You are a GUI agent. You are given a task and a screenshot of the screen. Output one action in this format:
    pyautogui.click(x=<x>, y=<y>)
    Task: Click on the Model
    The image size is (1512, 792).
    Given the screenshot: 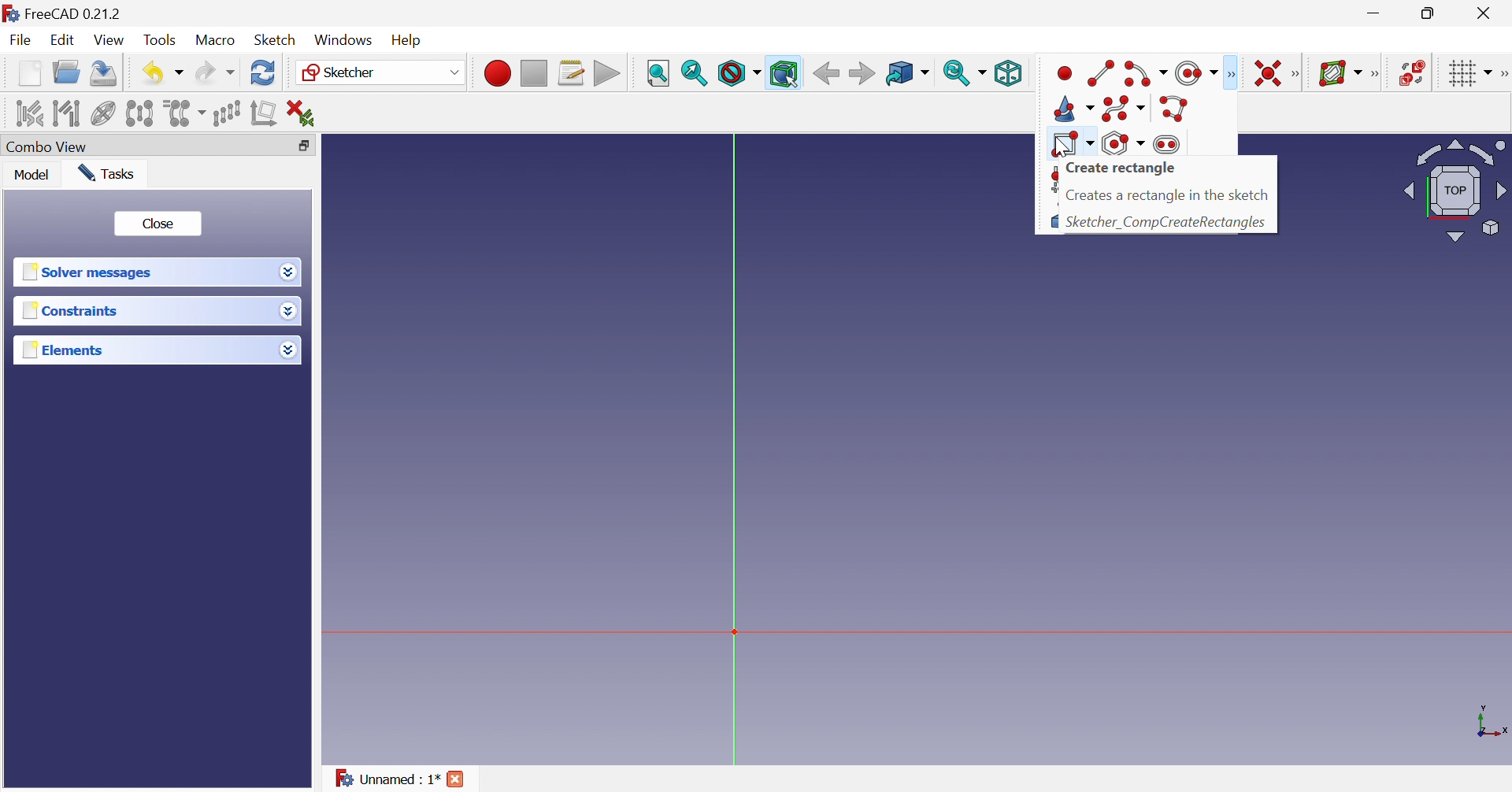 What is the action you would take?
    pyautogui.click(x=31, y=175)
    